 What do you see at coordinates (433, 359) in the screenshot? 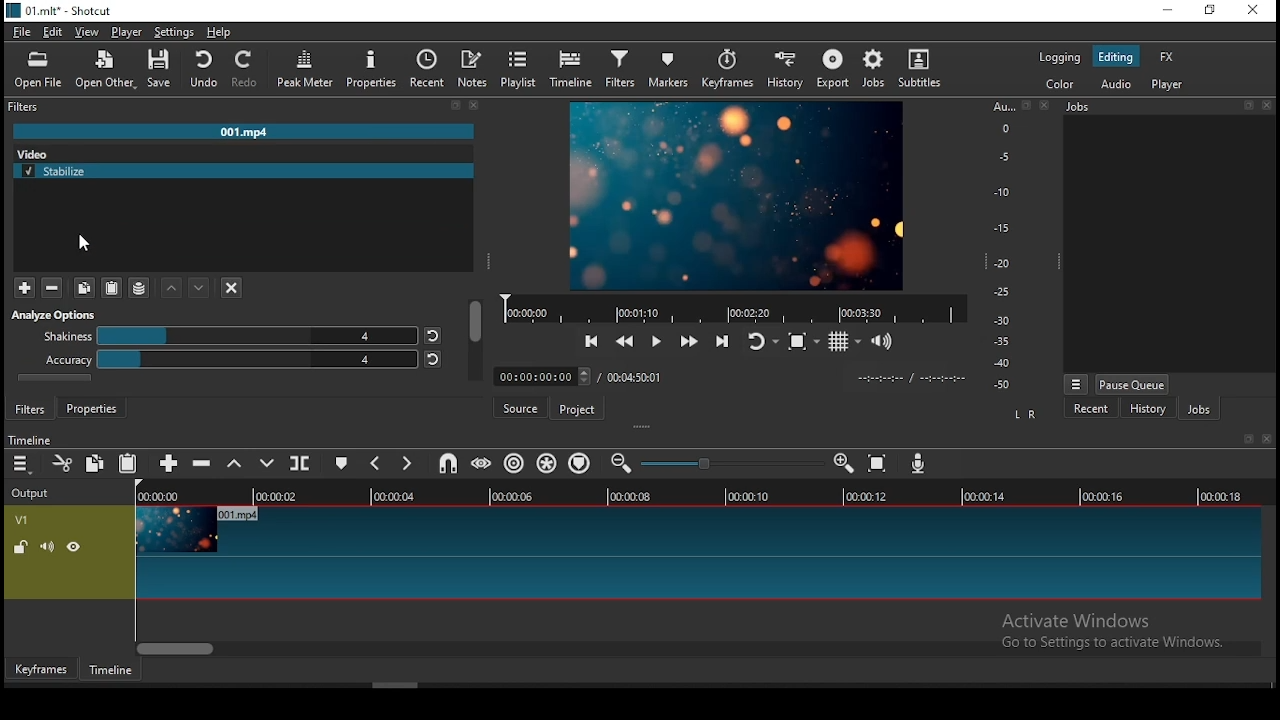
I see `reset` at bounding box center [433, 359].